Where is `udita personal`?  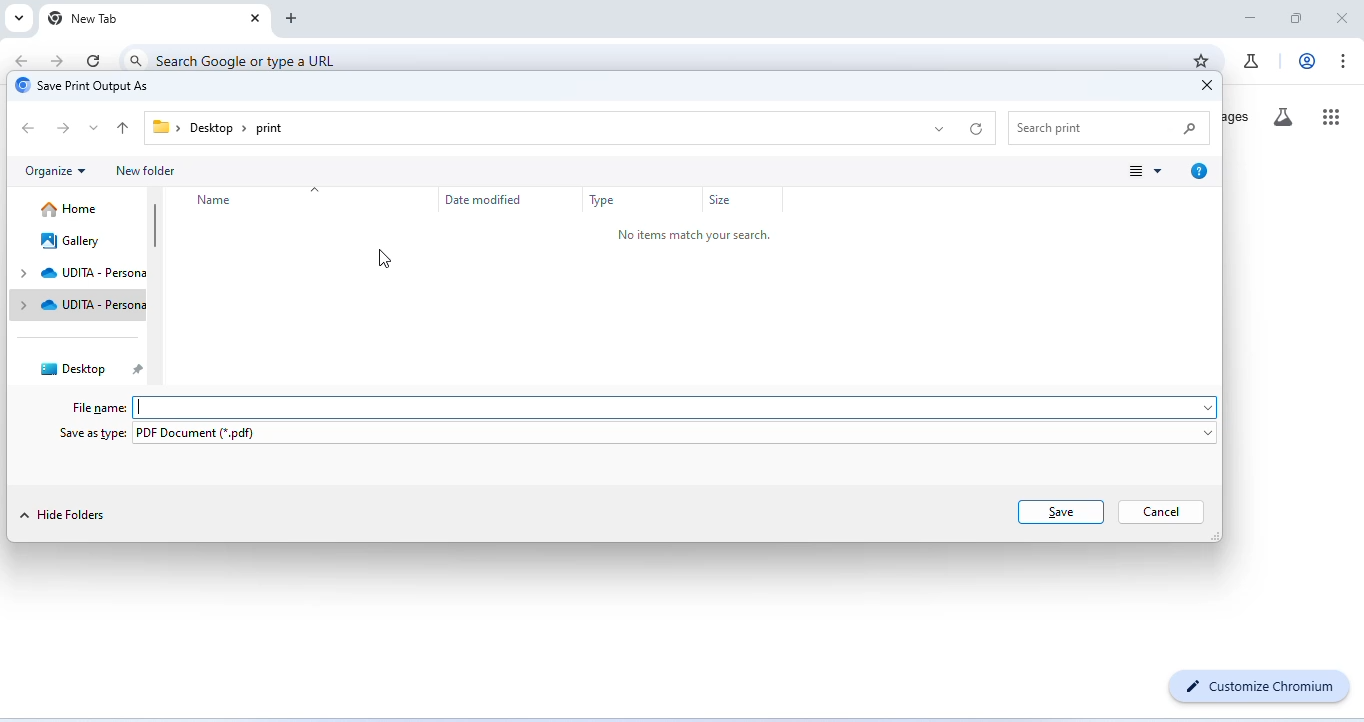
udita personal is located at coordinates (78, 274).